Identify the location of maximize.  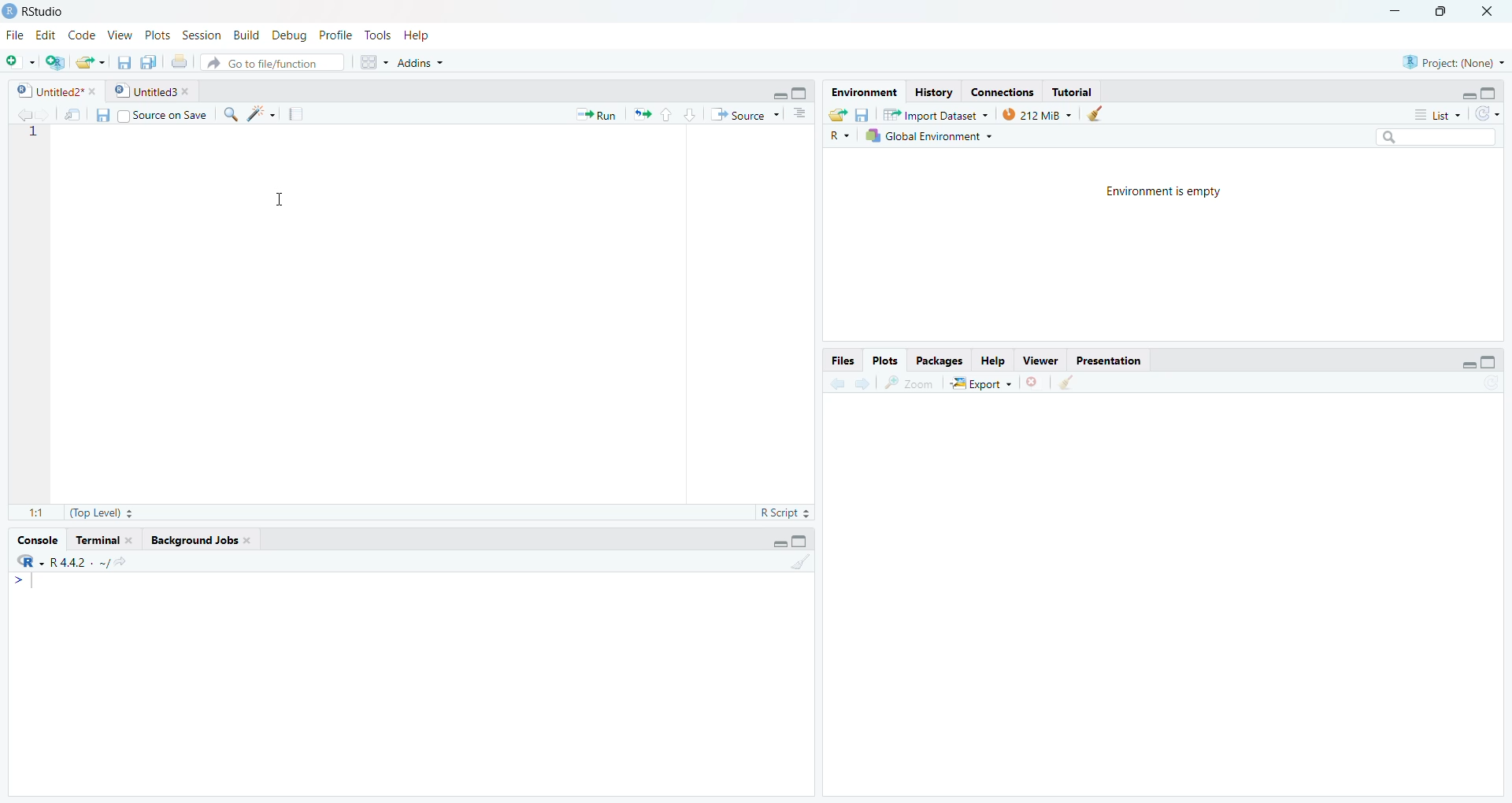
(806, 542).